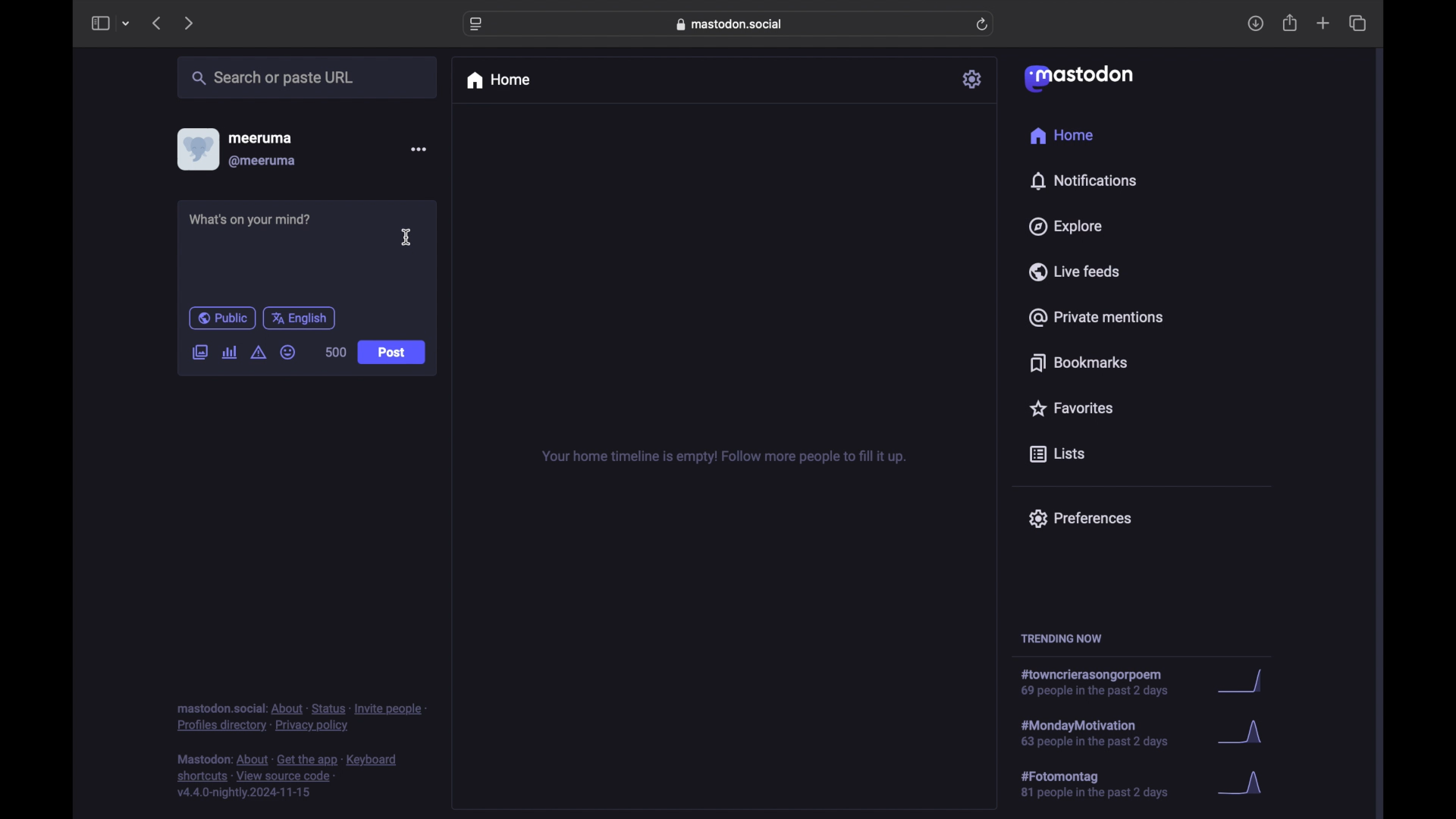  What do you see at coordinates (290, 777) in the screenshot?
I see `footnote` at bounding box center [290, 777].